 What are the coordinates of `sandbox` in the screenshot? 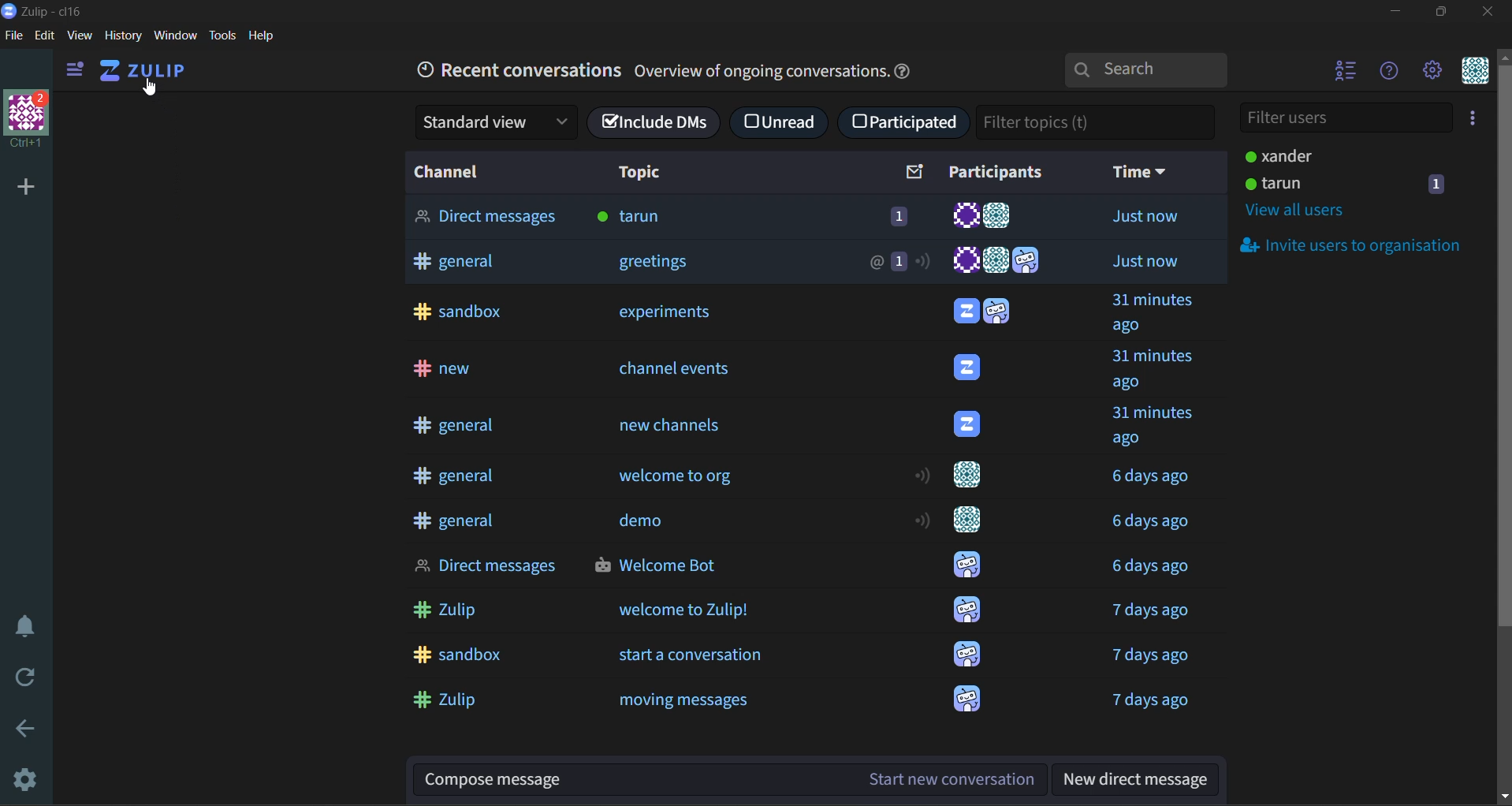 It's located at (467, 312).